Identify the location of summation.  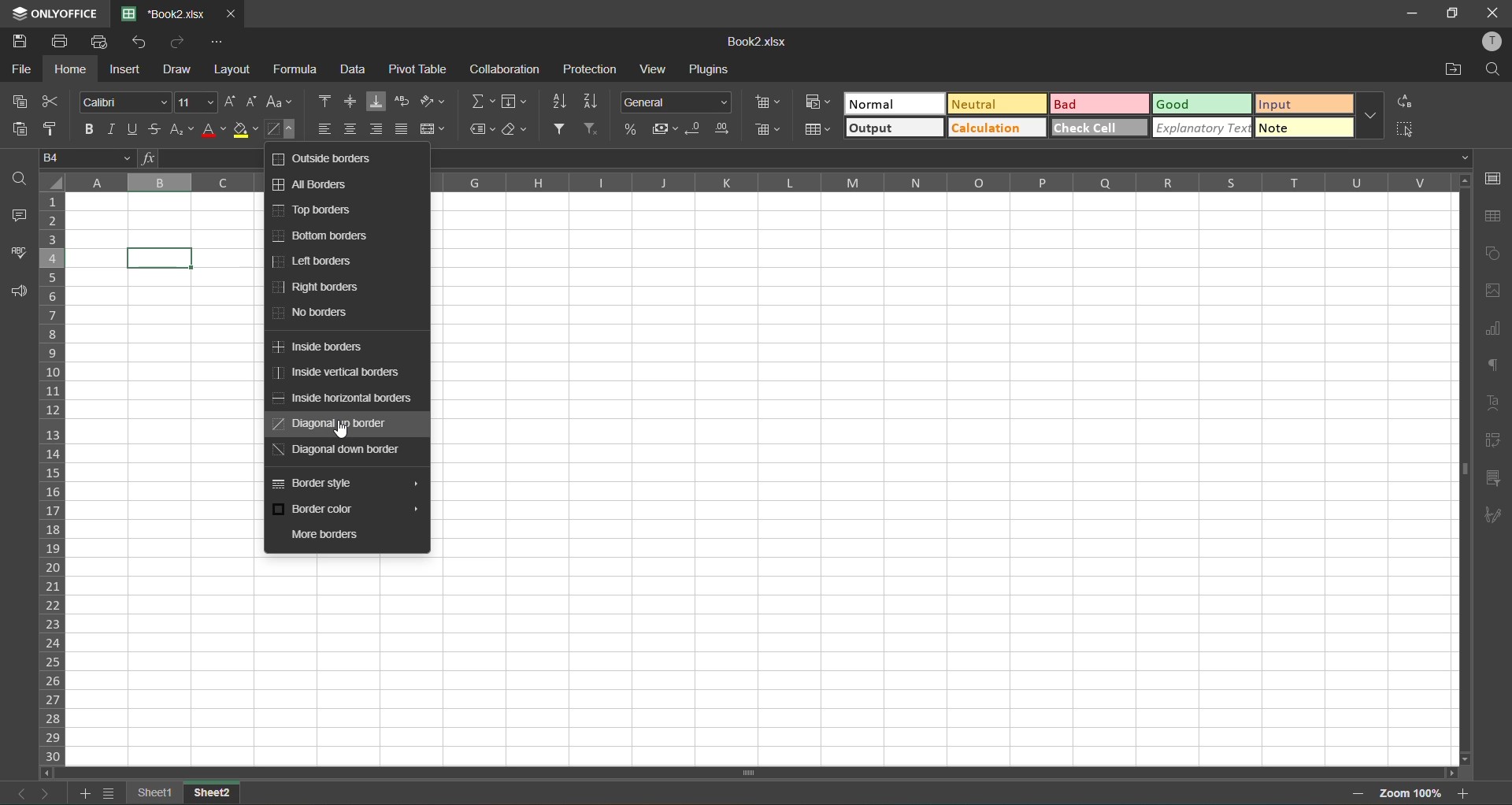
(484, 101).